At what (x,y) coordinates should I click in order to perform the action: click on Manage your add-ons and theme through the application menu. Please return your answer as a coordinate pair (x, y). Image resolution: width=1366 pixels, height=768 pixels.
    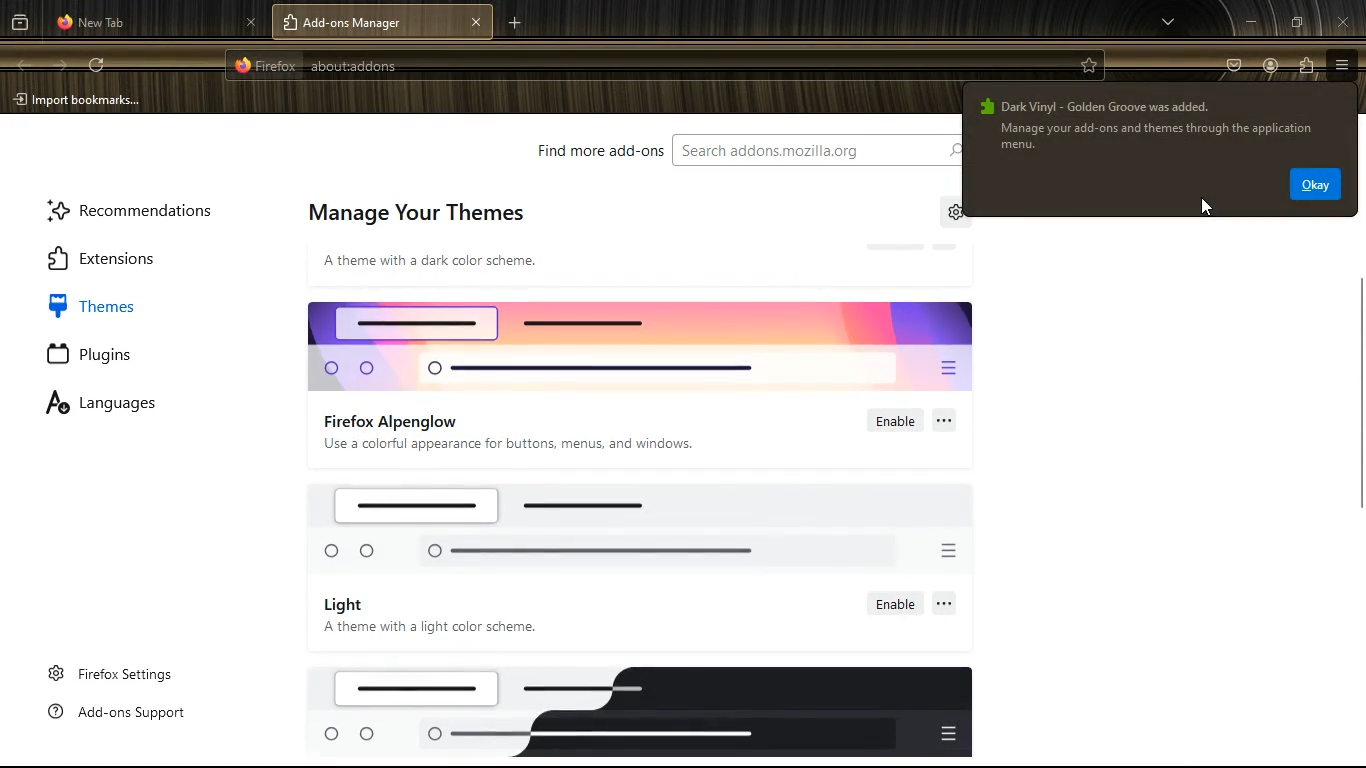
    Looking at the image, I should click on (1162, 137).